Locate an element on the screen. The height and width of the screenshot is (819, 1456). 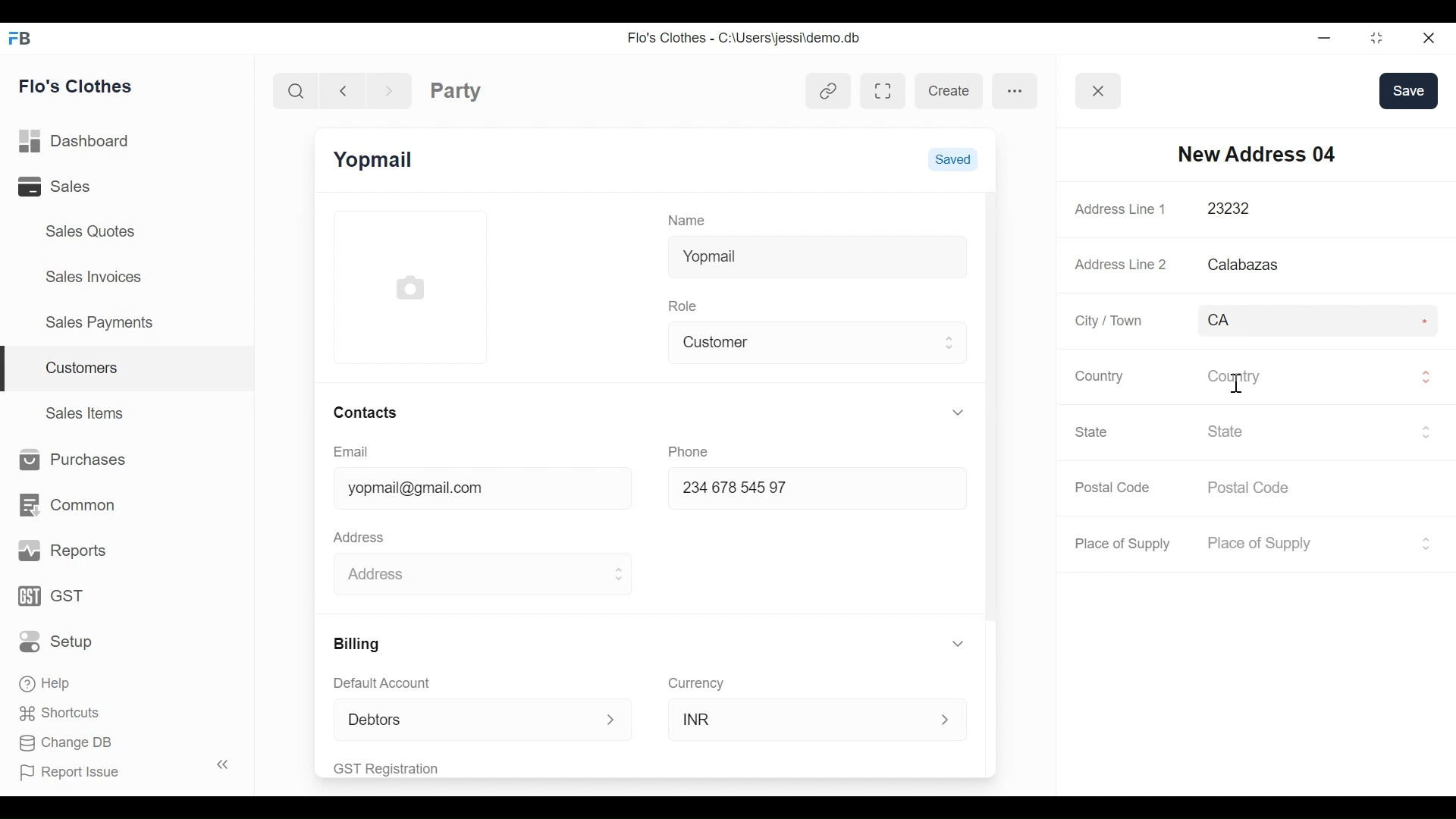
Asterisk  is located at coordinates (1427, 319).